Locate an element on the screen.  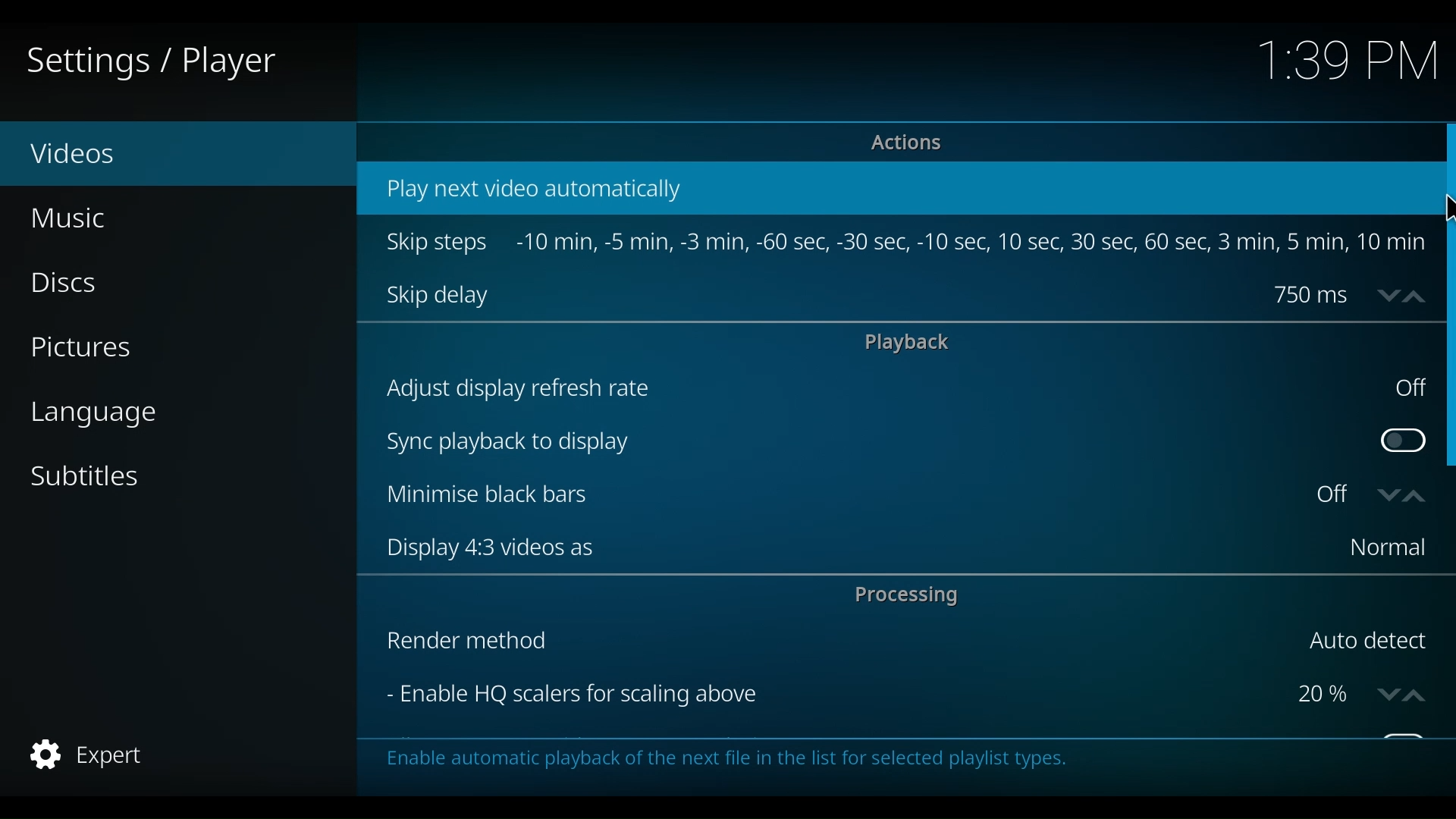
Vertical Sroll bar is located at coordinates (1447, 349).